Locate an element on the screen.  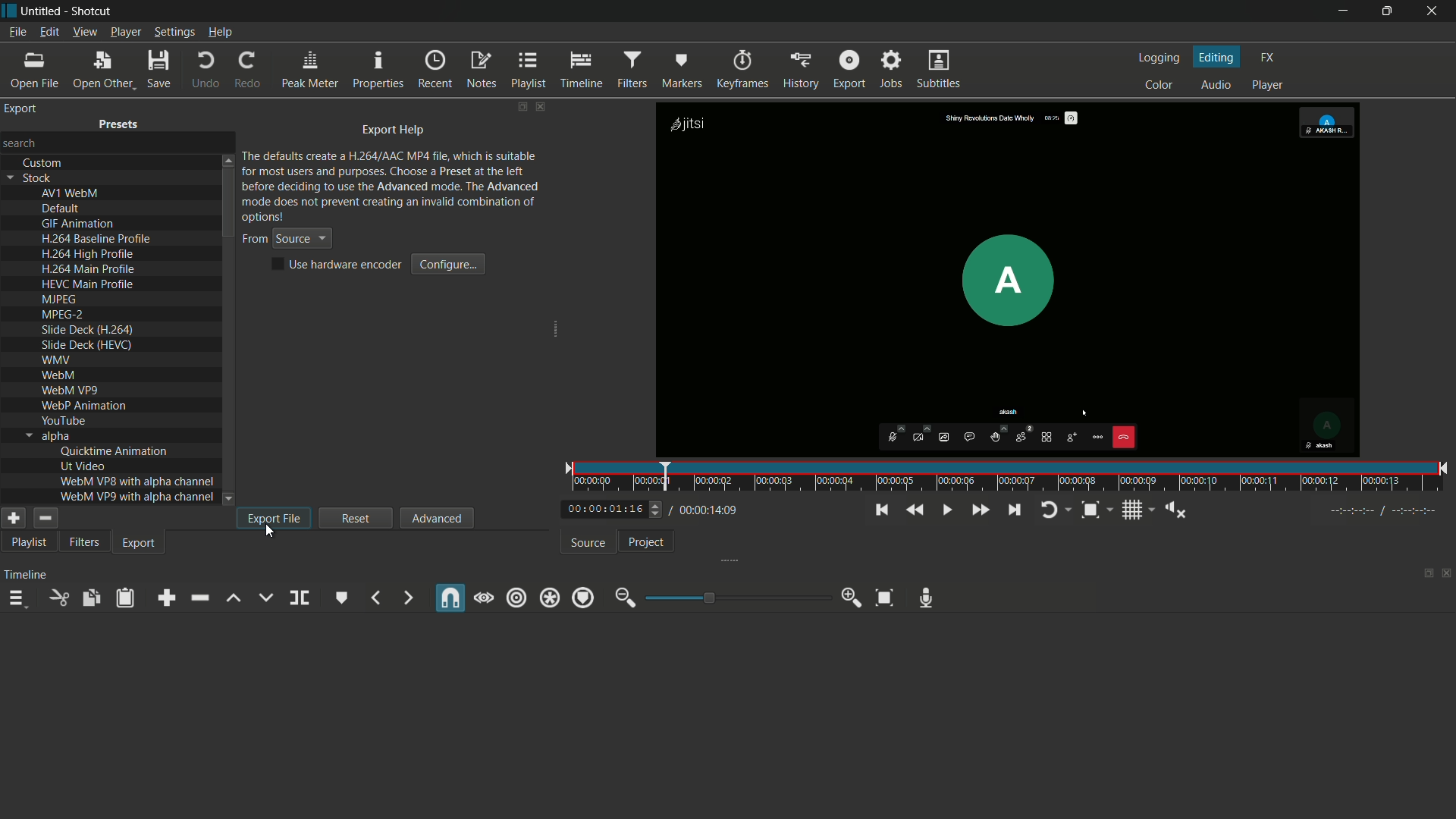
split at playhead is located at coordinates (299, 598).